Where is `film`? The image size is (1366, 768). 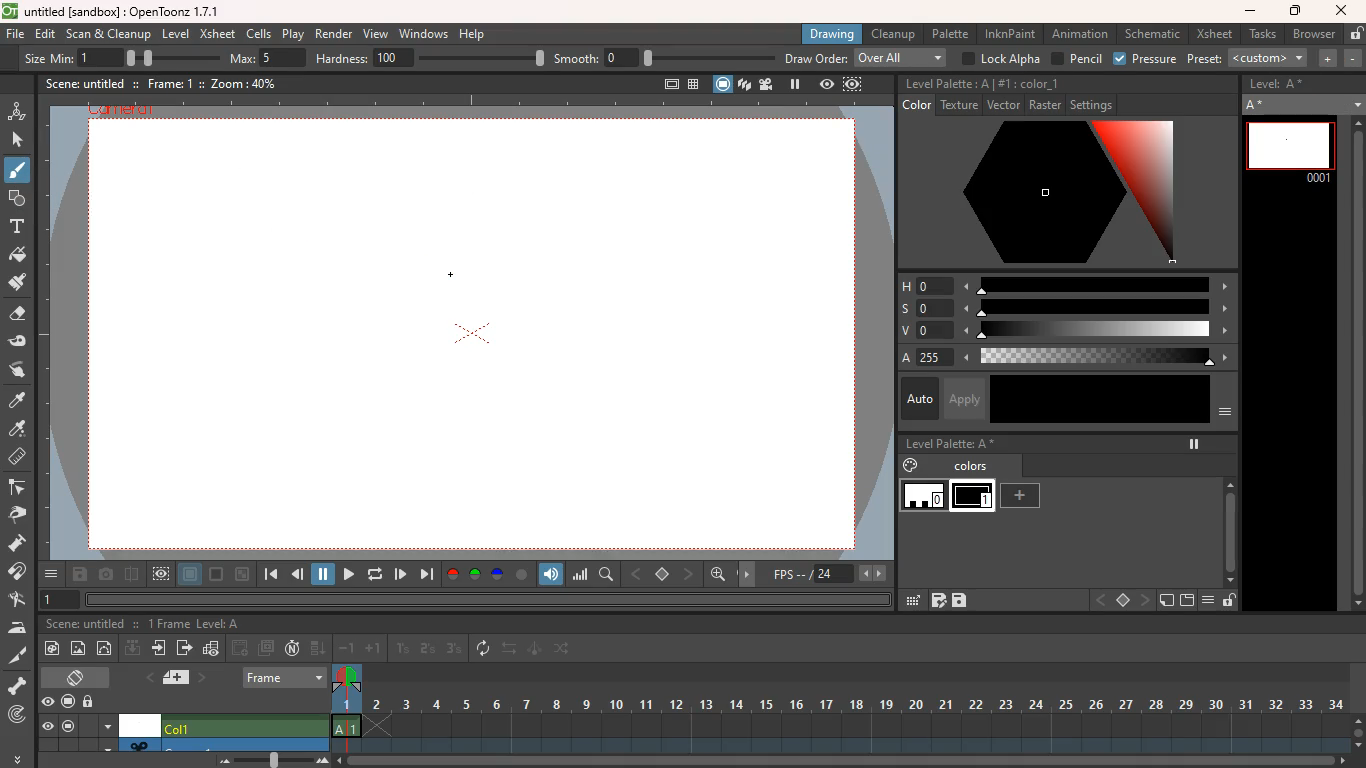 film is located at coordinates (769, 84).